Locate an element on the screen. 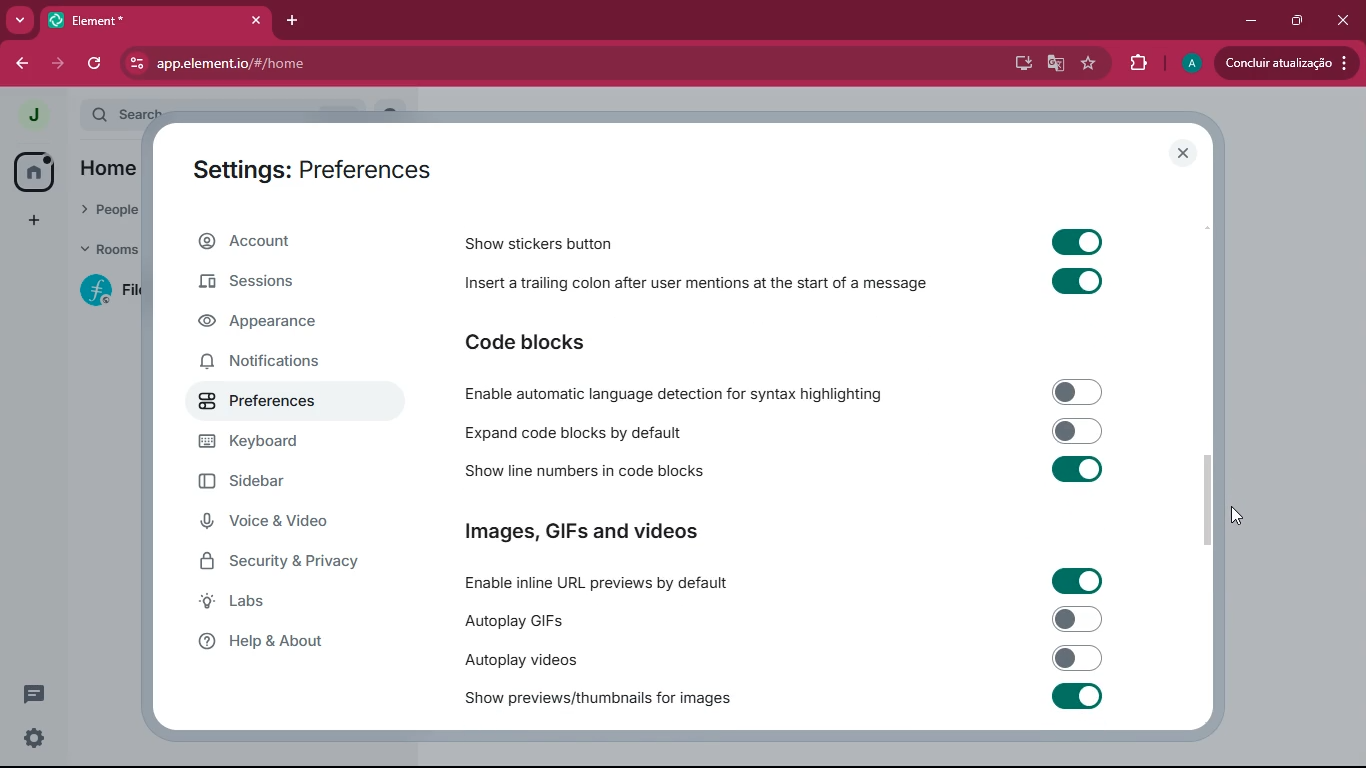 The image size is (1366, 768). restore down is located at coordinates (1295, 20).